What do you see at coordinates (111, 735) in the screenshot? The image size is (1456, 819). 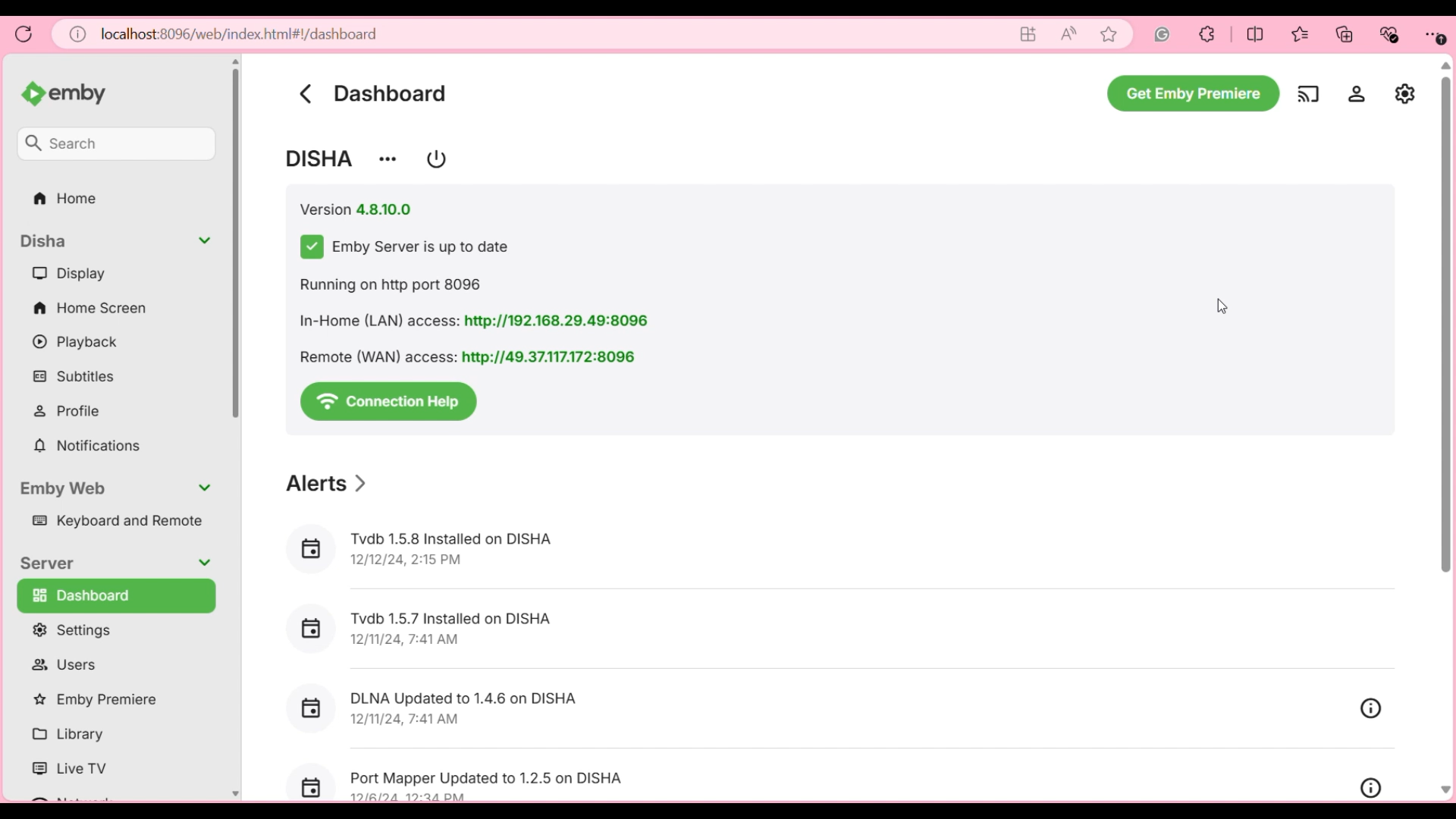 I see `Library` at bounding box center [111, 735].